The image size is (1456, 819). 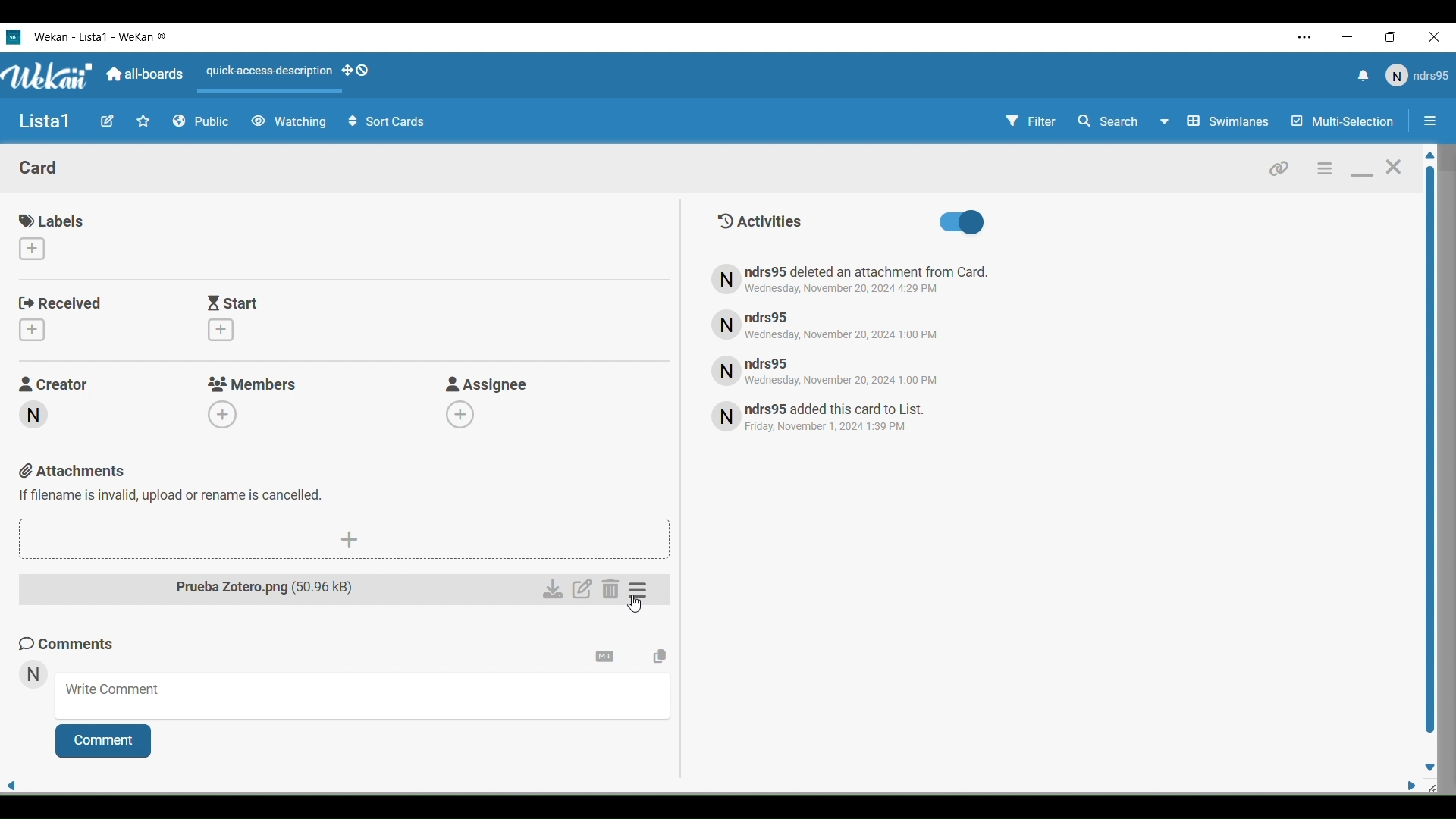 What do you see at coordinates (33, 675) in the screenshot?
I see `User` at bounding box center [33, 675].